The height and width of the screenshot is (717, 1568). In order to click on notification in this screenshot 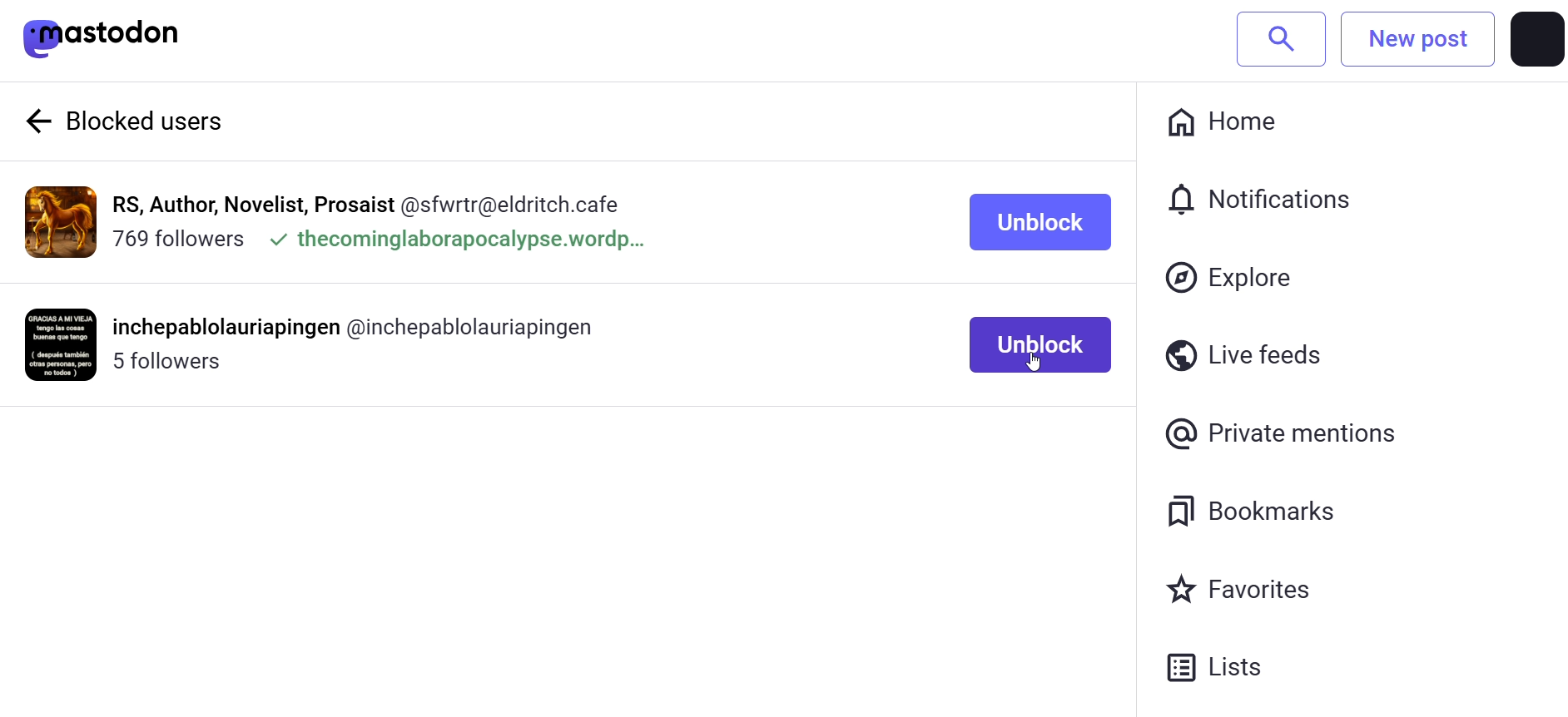, I will do `click(1255, 195)`.